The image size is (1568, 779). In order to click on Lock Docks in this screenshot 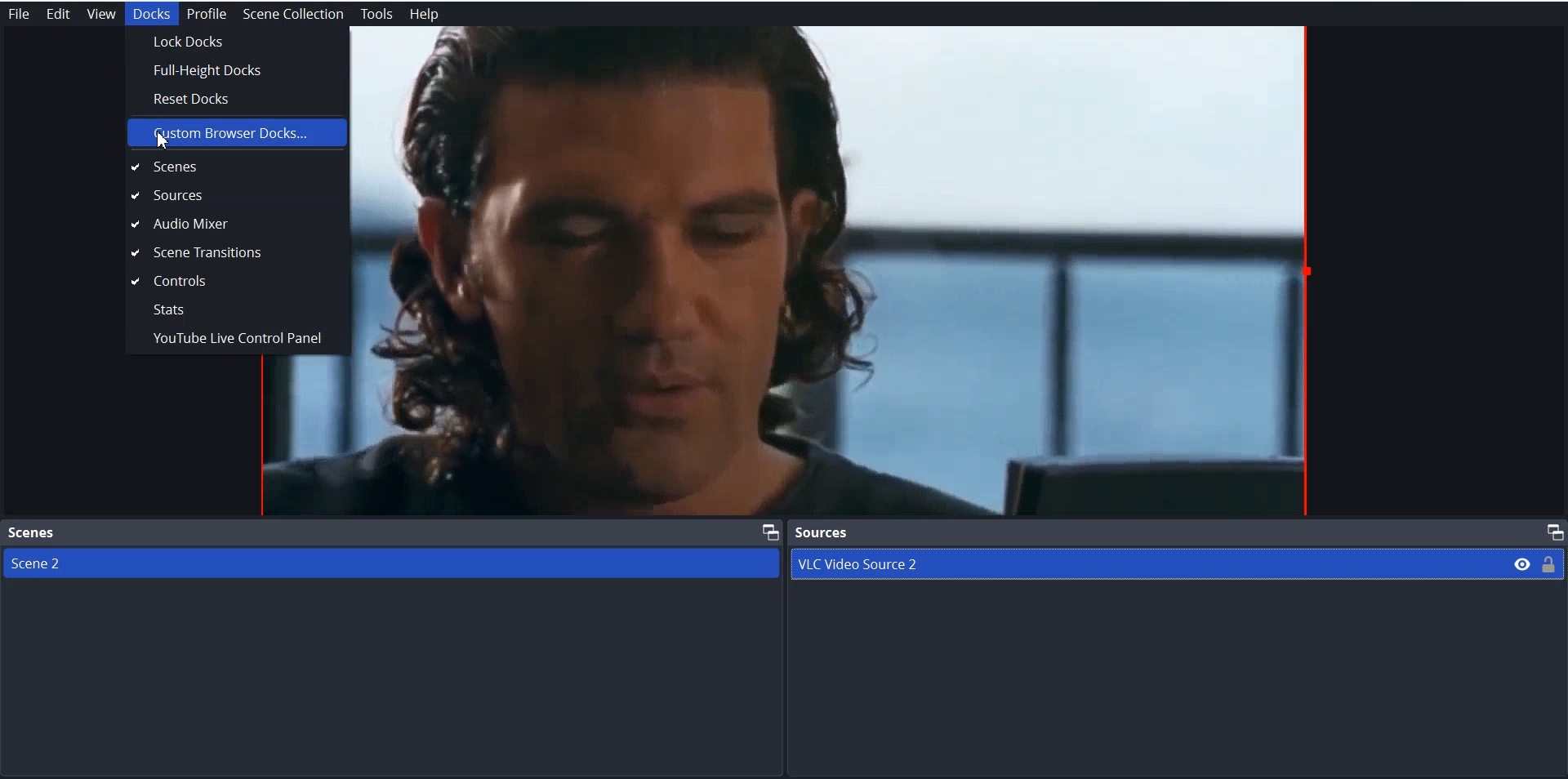, I will do `click(232, 41)`.